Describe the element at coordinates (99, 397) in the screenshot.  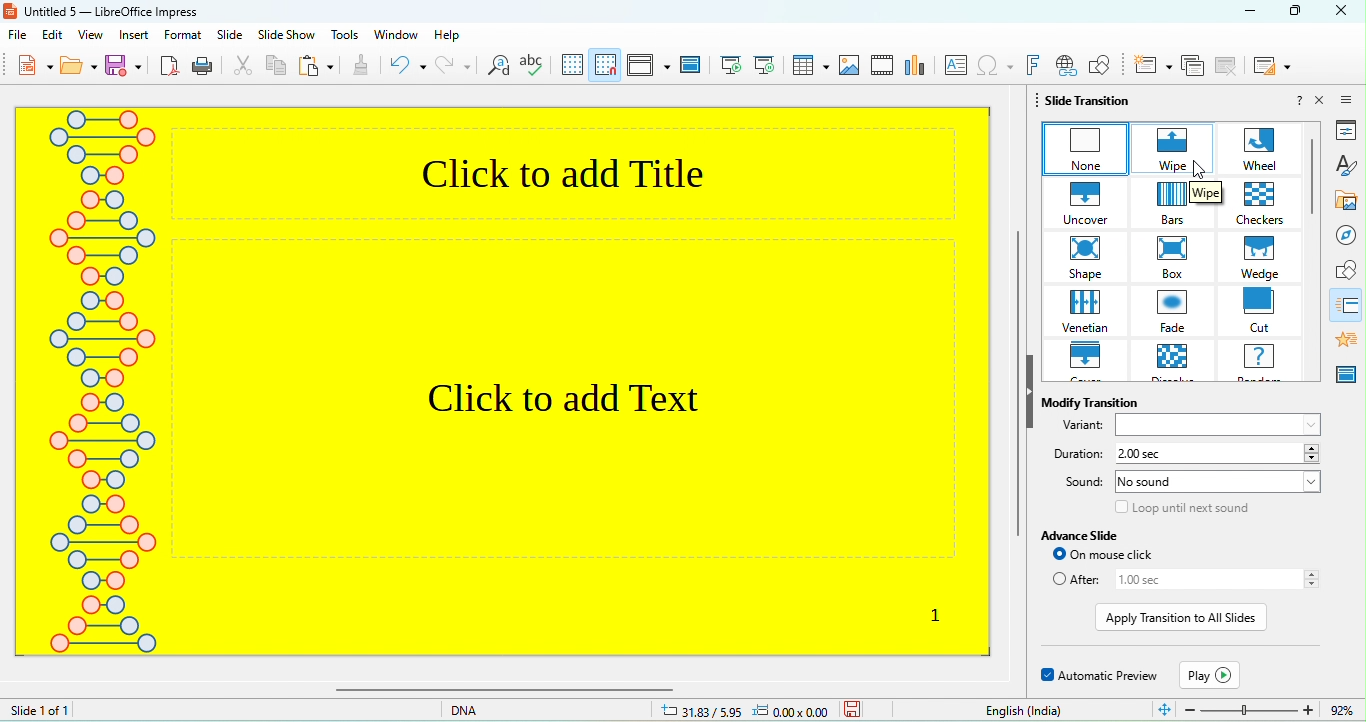
I see `DNA theme on slide` at that location.